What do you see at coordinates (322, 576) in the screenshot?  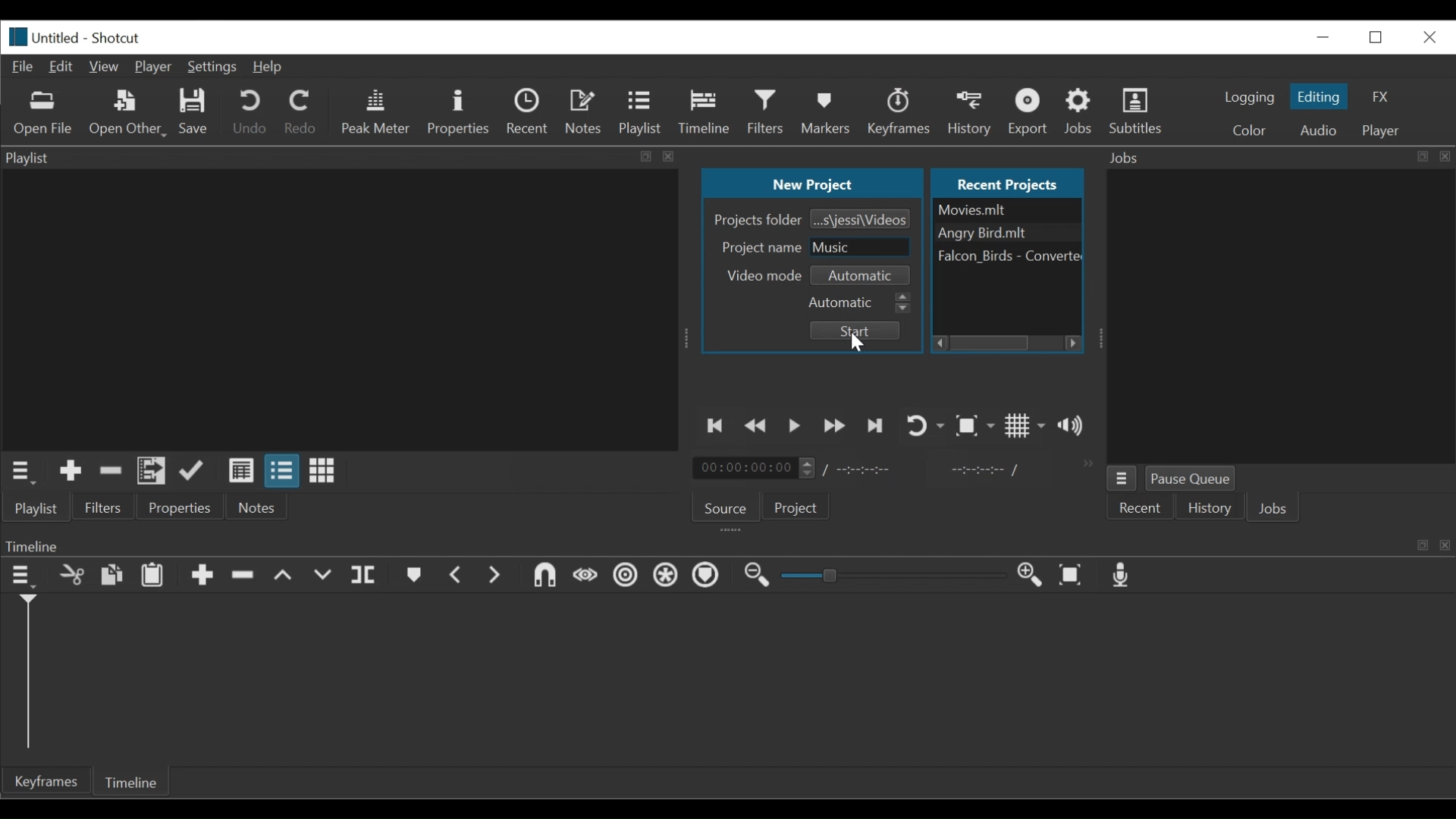 I see `Overwrite` at bounding box center [322, 576].